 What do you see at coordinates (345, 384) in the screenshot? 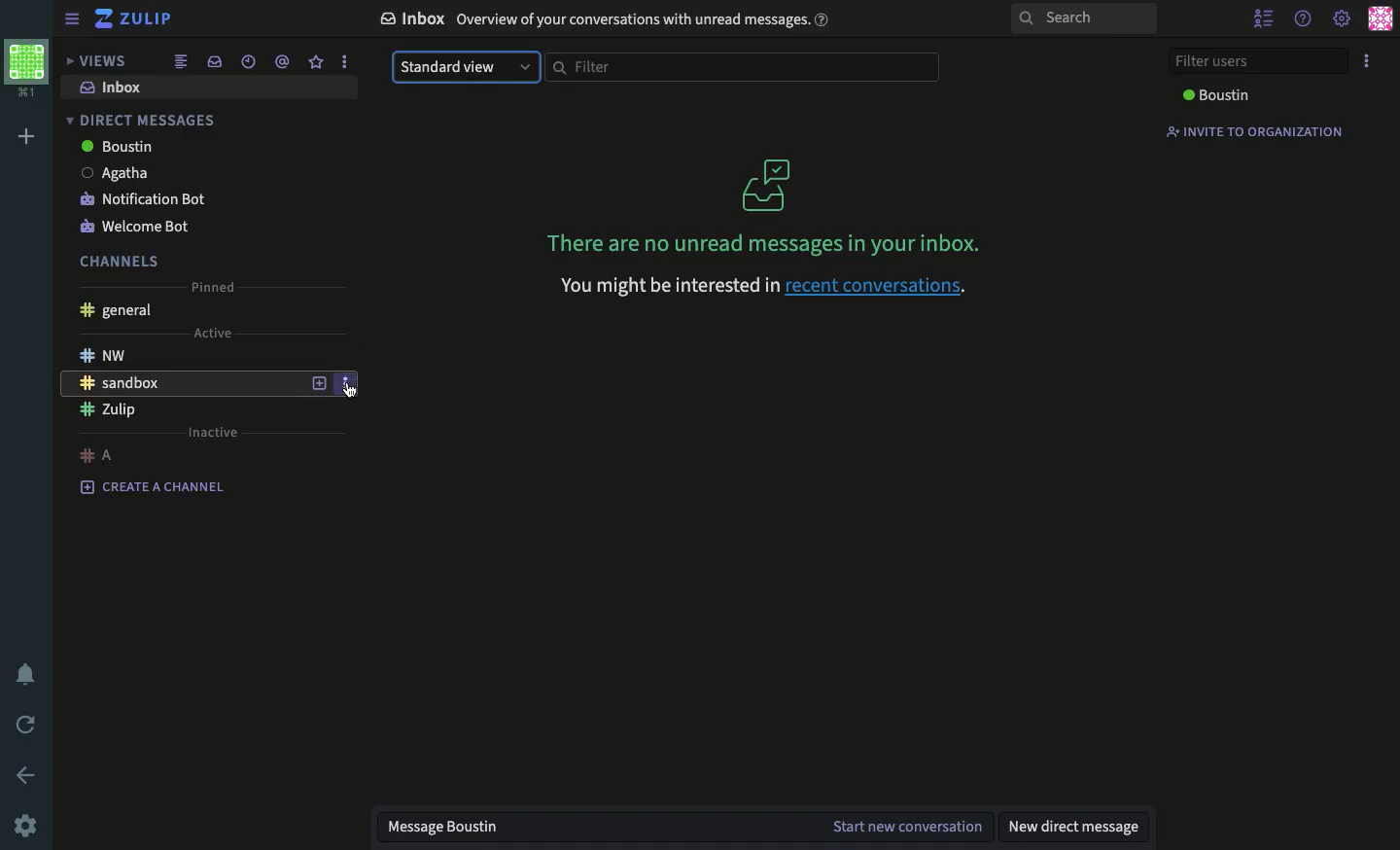
I see `options` at bounding box center [345, 384].